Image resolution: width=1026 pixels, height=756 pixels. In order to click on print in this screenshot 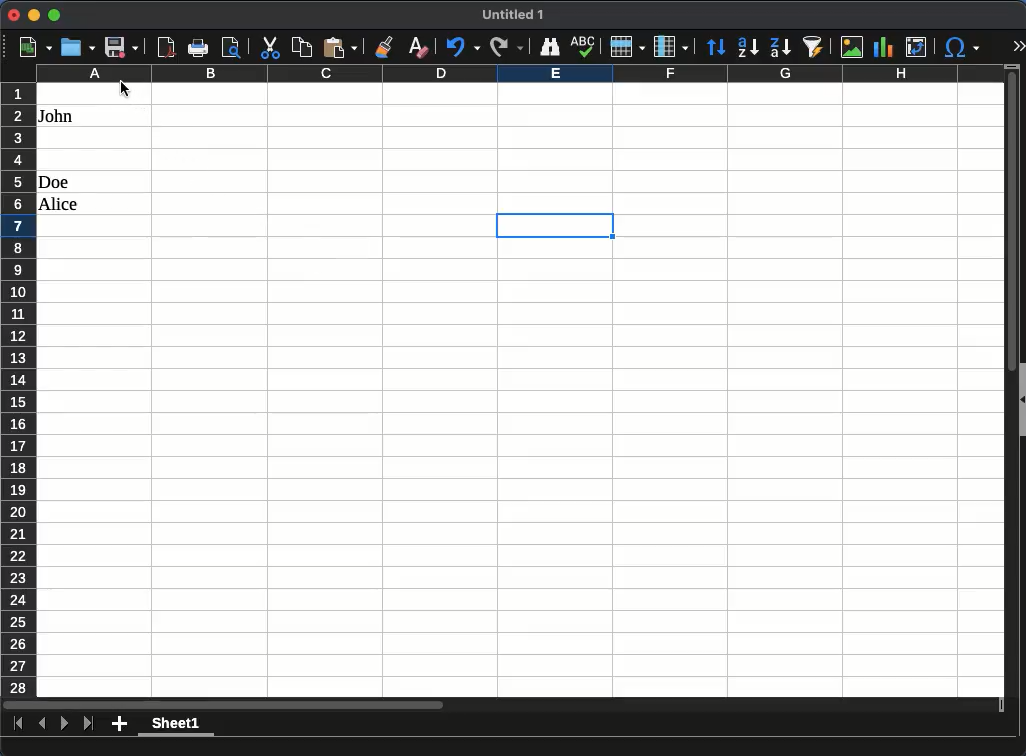, I will do `click(198, 48)`.